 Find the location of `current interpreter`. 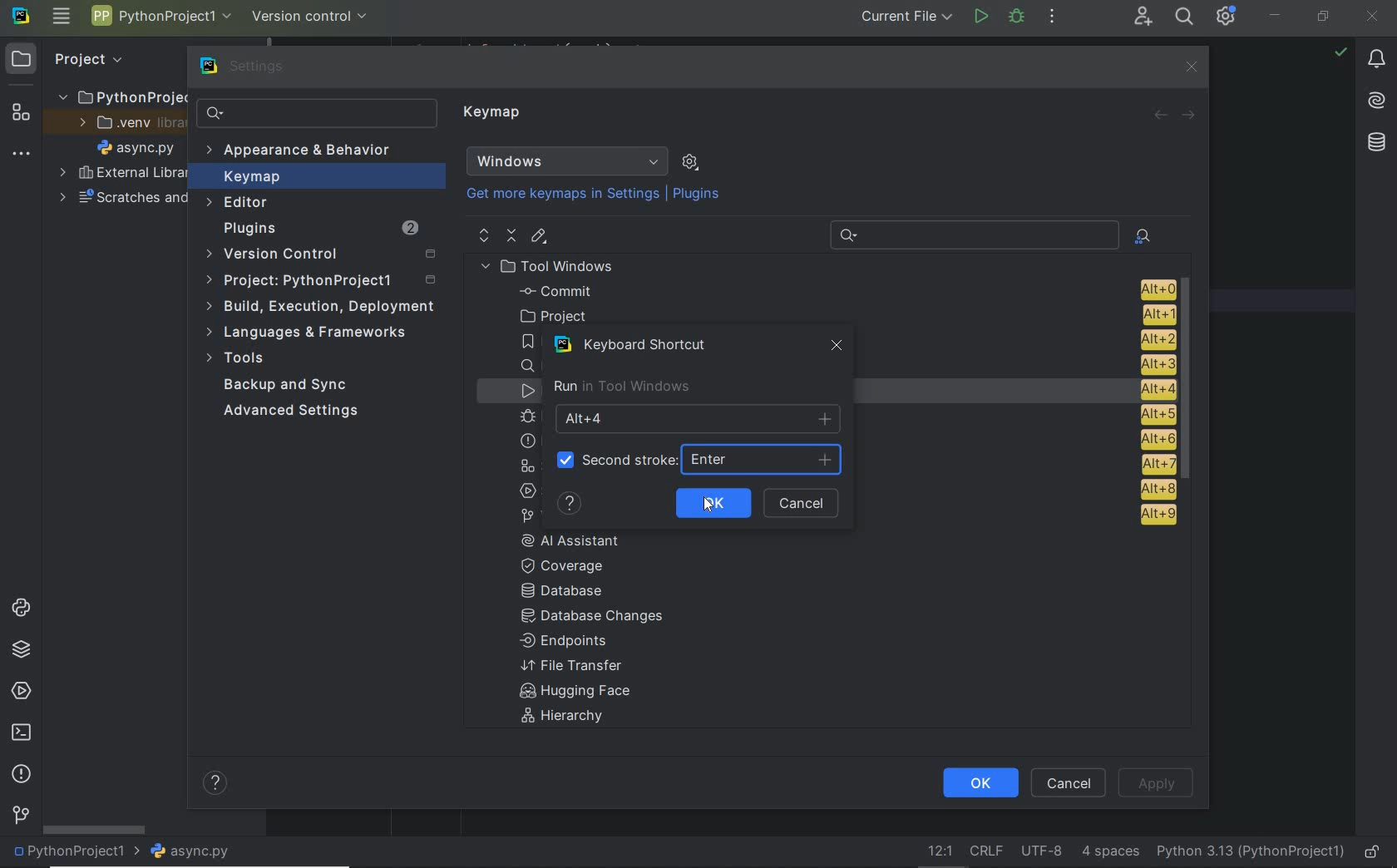

current interpreter is located at coordinates (1251, 853).